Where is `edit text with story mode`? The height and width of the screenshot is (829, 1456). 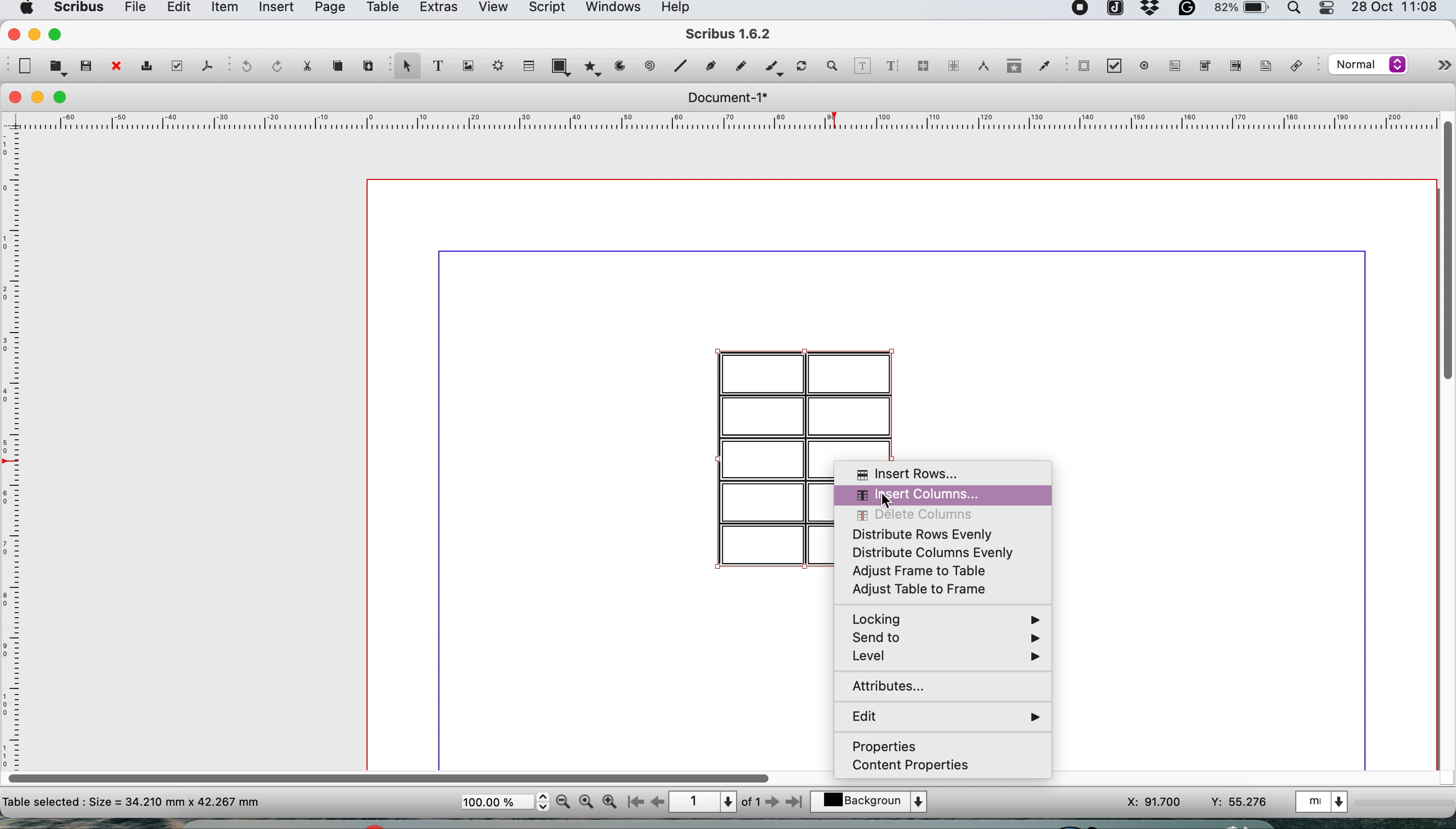 edit text with story mode is located at coordinates (892, 67).